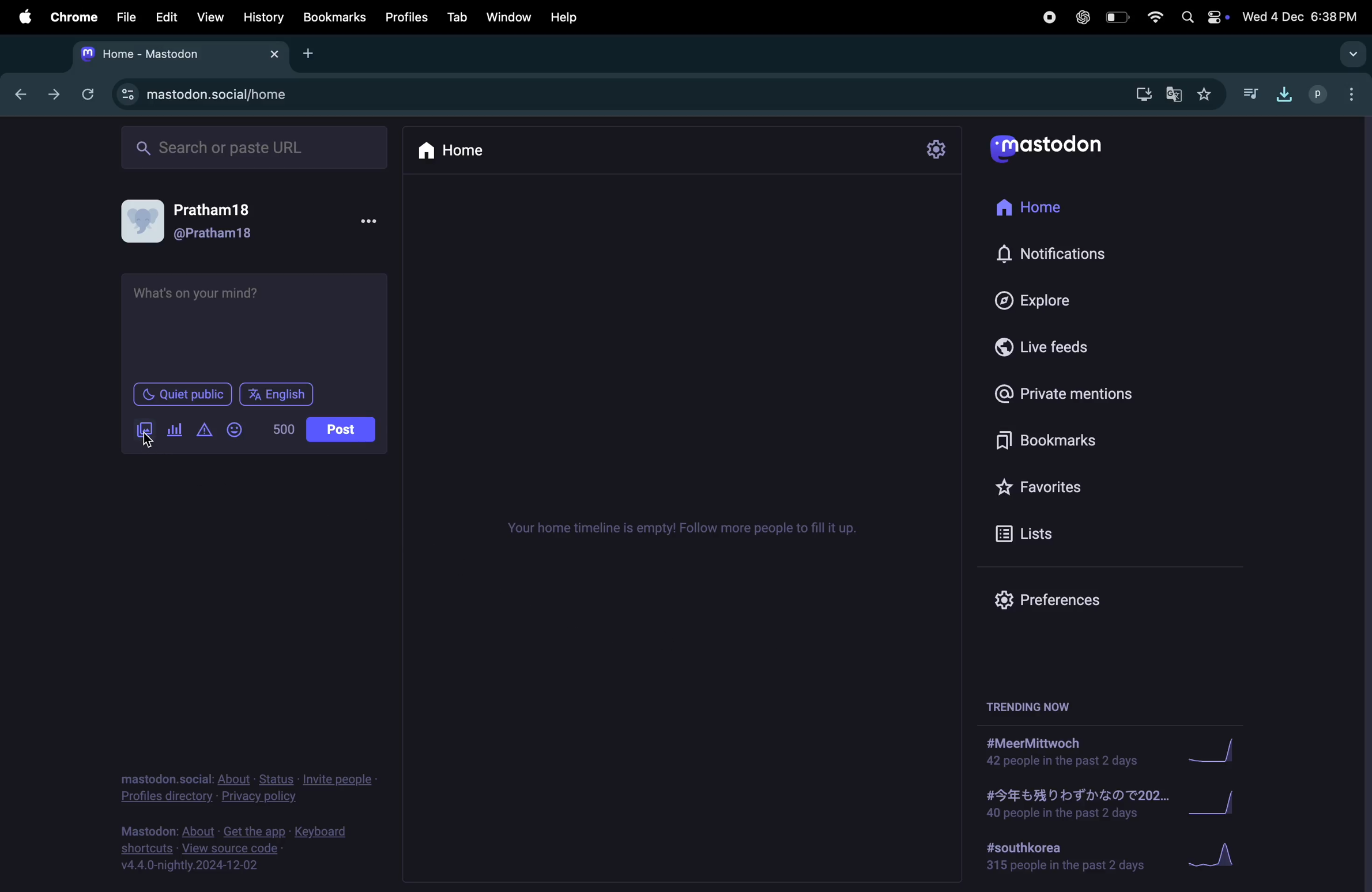 The height and width of the screenshot is (892, 1372). I want to click on mastodon url, so click(203, 94).